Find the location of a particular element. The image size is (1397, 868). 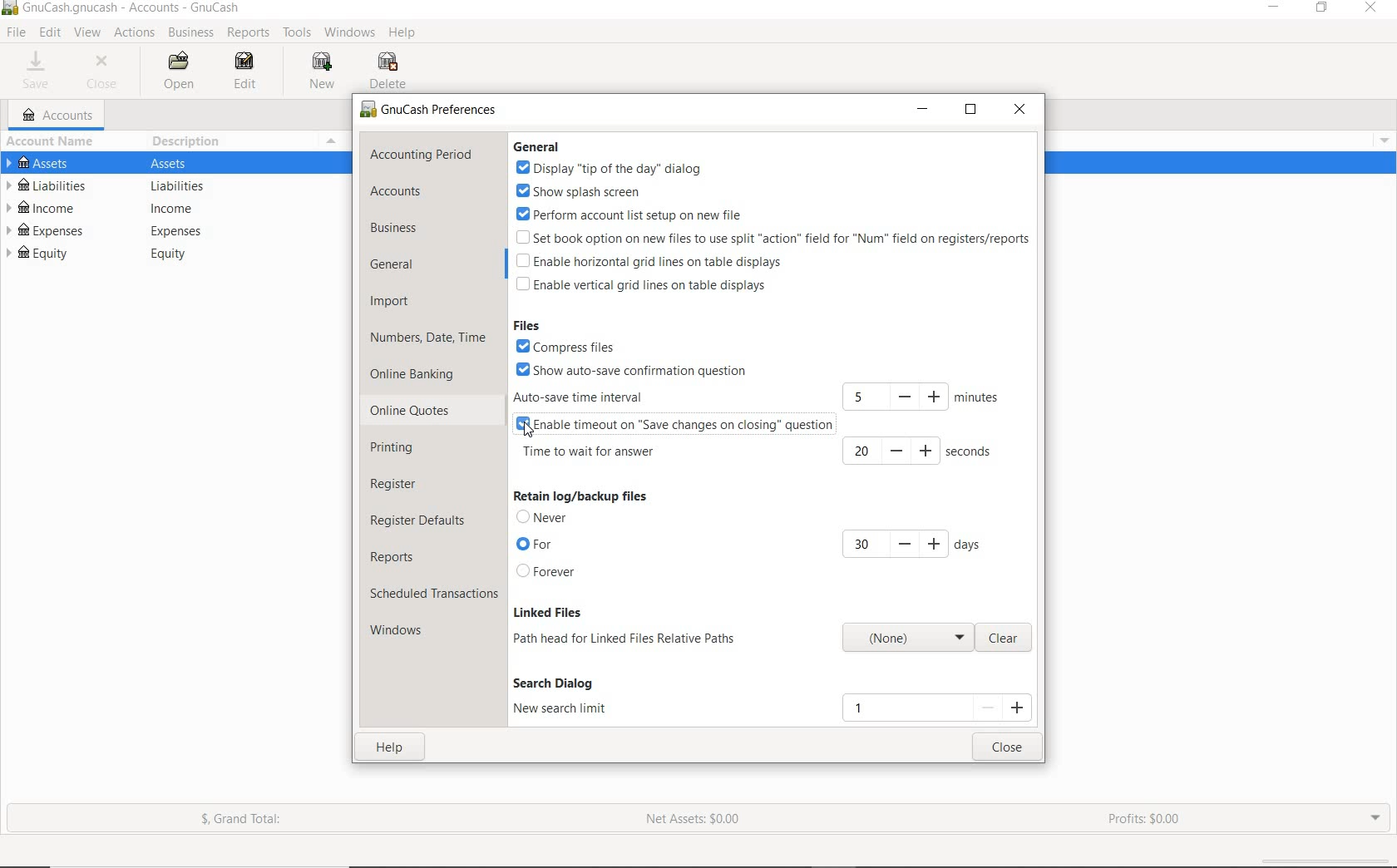

enable vertical grid lines is located at coordinates (641, 285).